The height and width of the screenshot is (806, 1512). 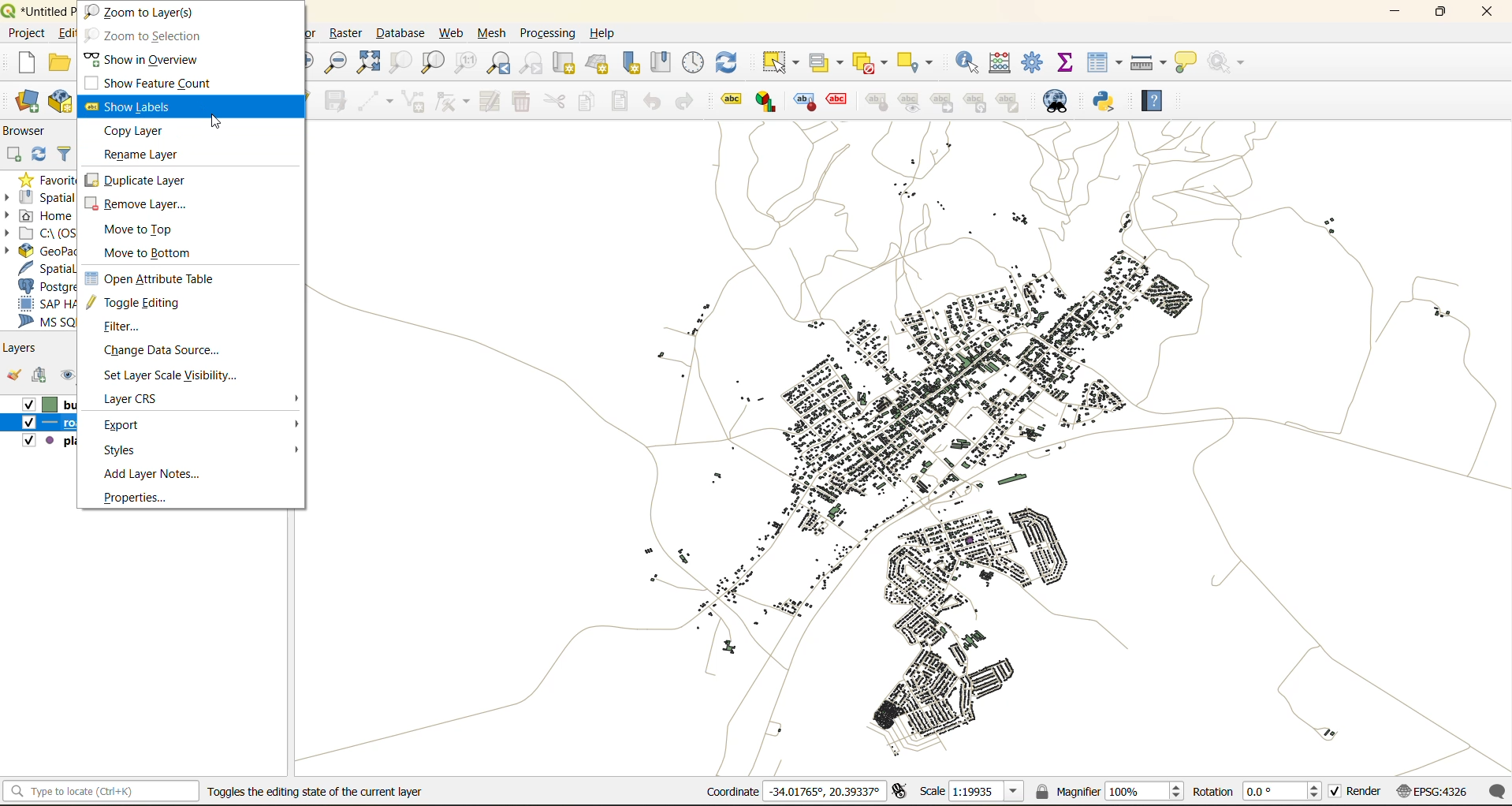 What do you see at coordinates (1010, 100) in the screenshot?
I see `change label properties` at bounding box center [1010, 100].